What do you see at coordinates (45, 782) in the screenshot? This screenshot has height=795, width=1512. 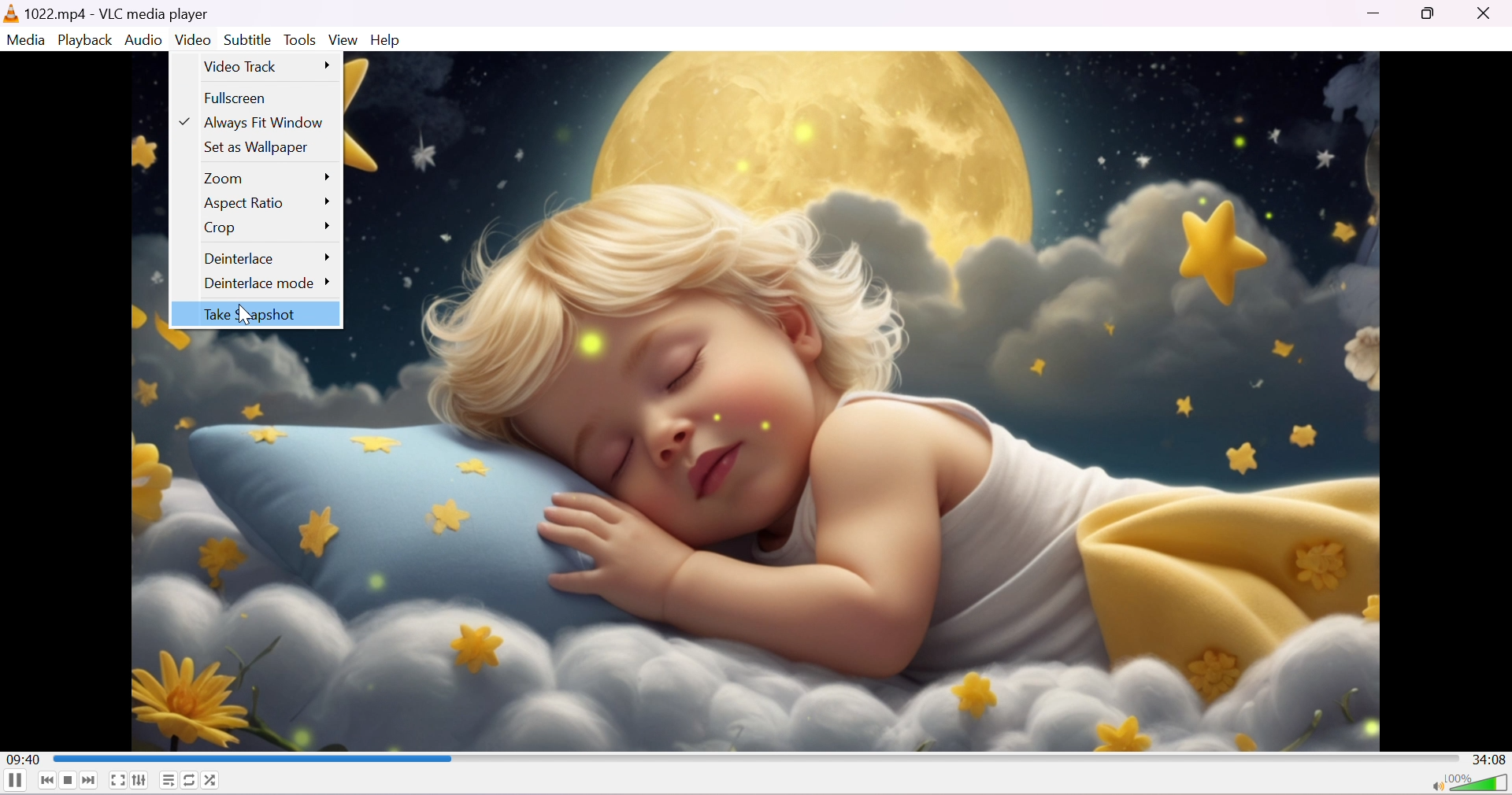 I see `Previous media in the playlist, skip backward when held` at bounding box center [45, 782].